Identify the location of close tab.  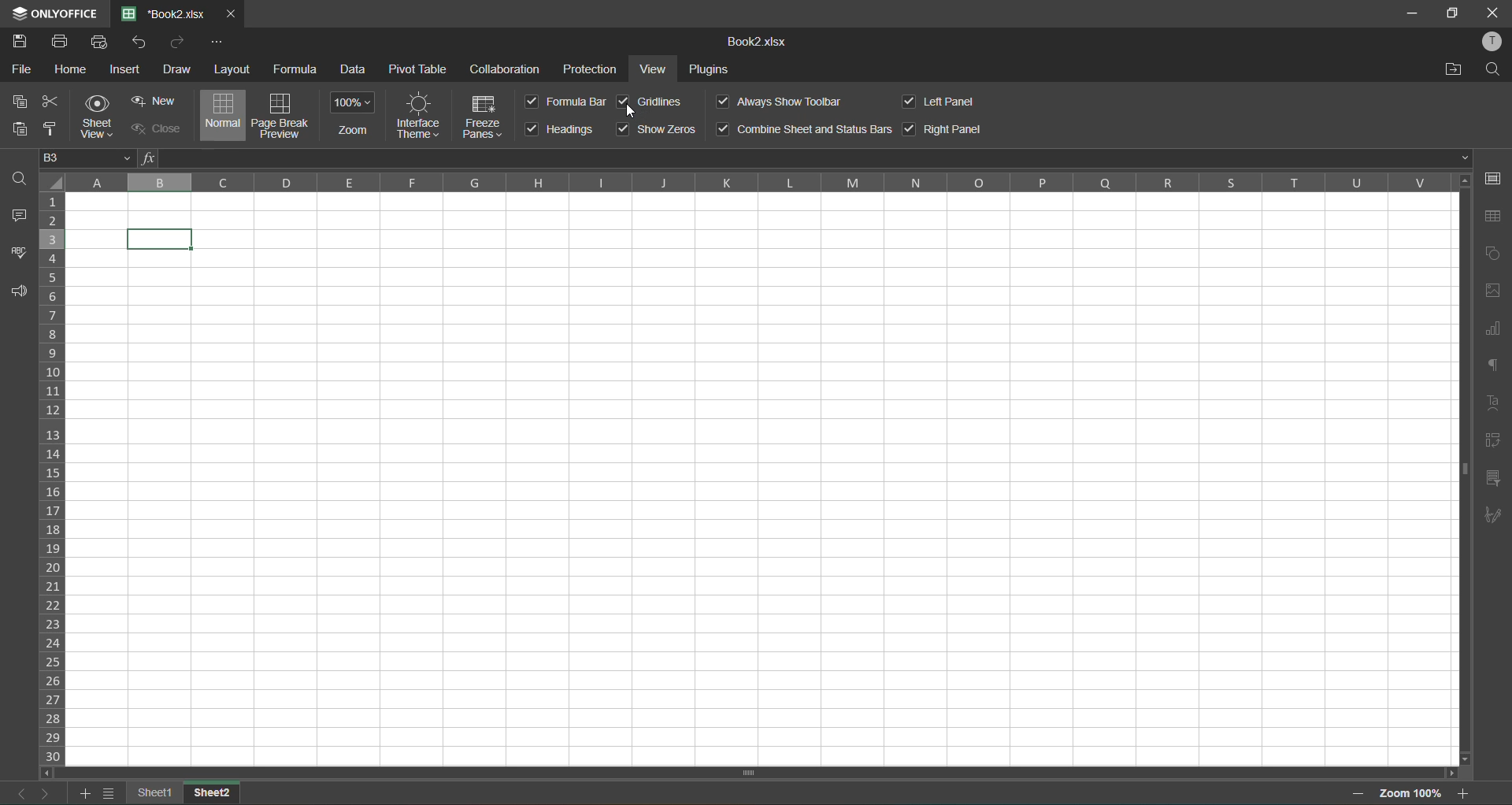
(228, 12).